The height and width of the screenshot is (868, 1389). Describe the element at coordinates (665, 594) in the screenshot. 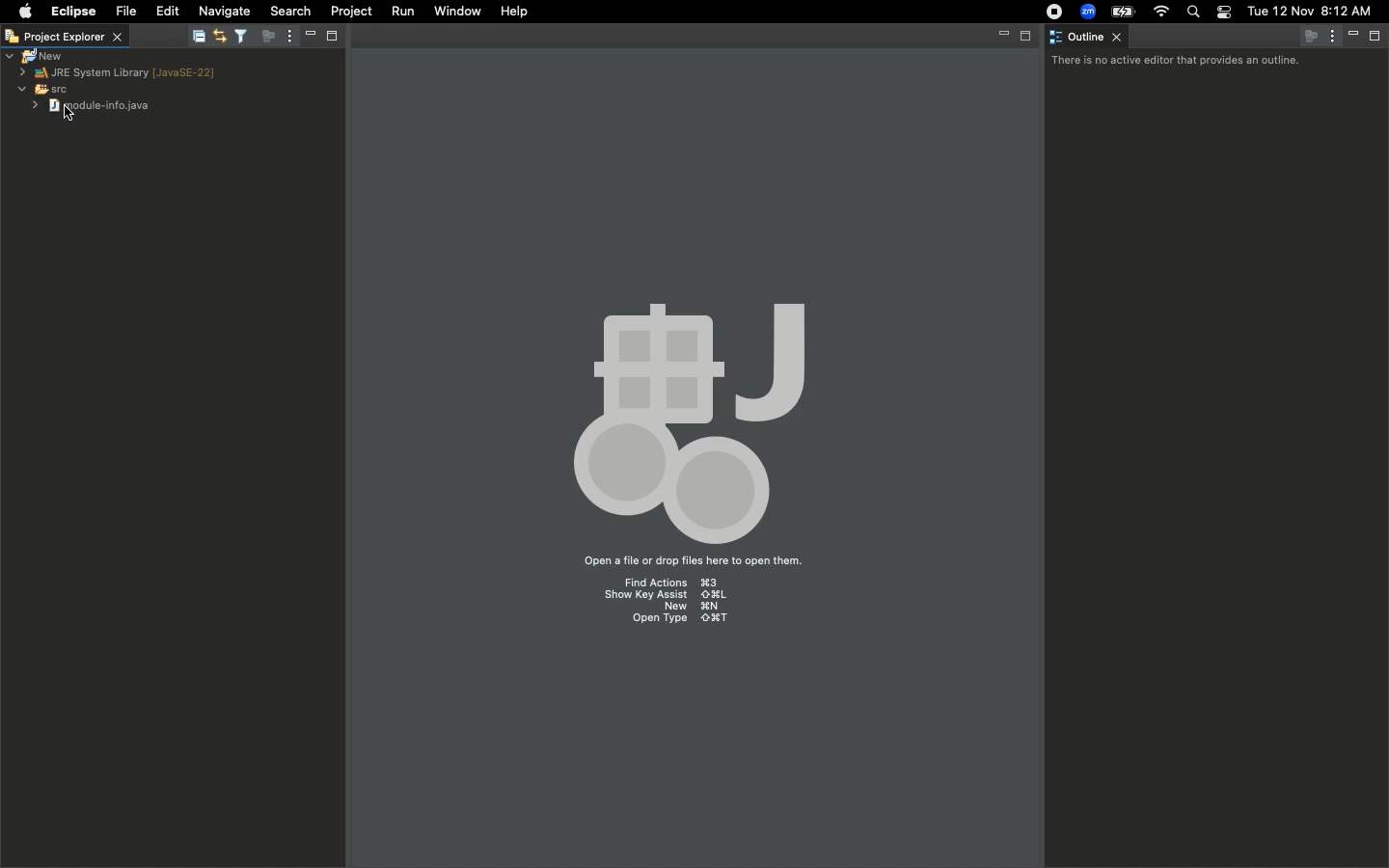

I see `Show key assist` at that location.